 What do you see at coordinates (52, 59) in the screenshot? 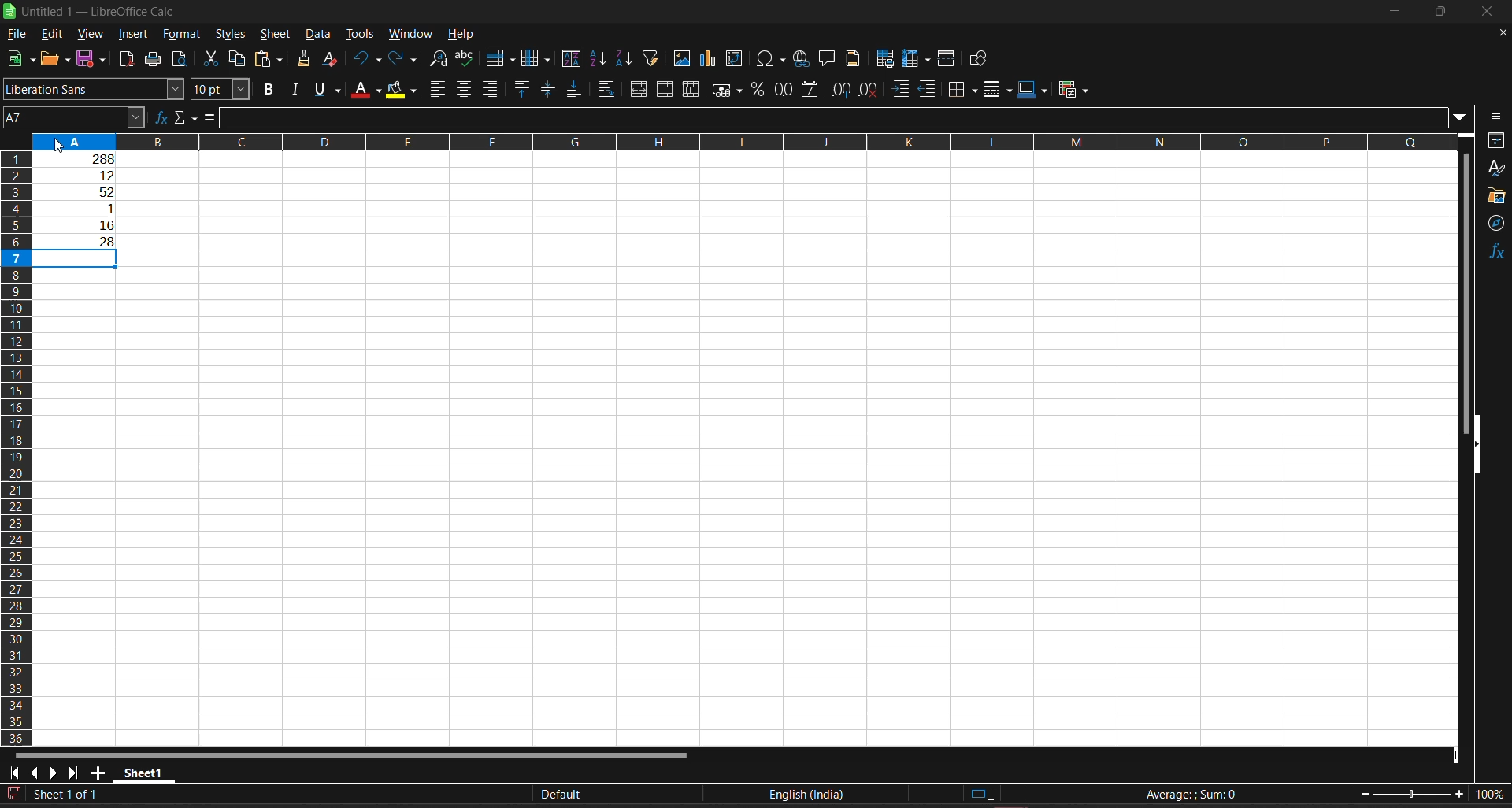
I see `open` at bounding box center [52, 59].